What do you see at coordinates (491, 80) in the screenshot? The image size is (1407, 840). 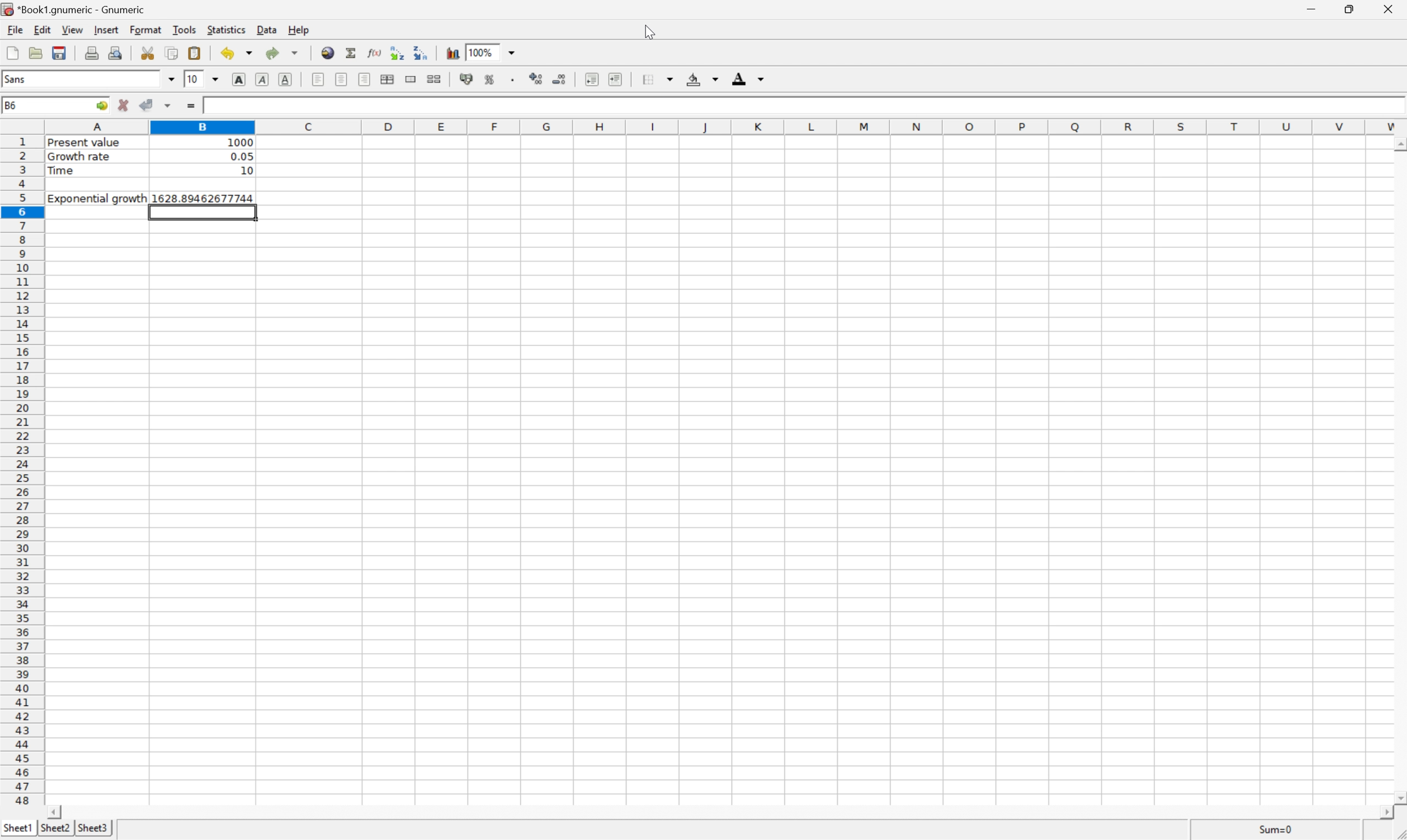 I see `Format the selection as percentage` at bounding box center [491, 80].